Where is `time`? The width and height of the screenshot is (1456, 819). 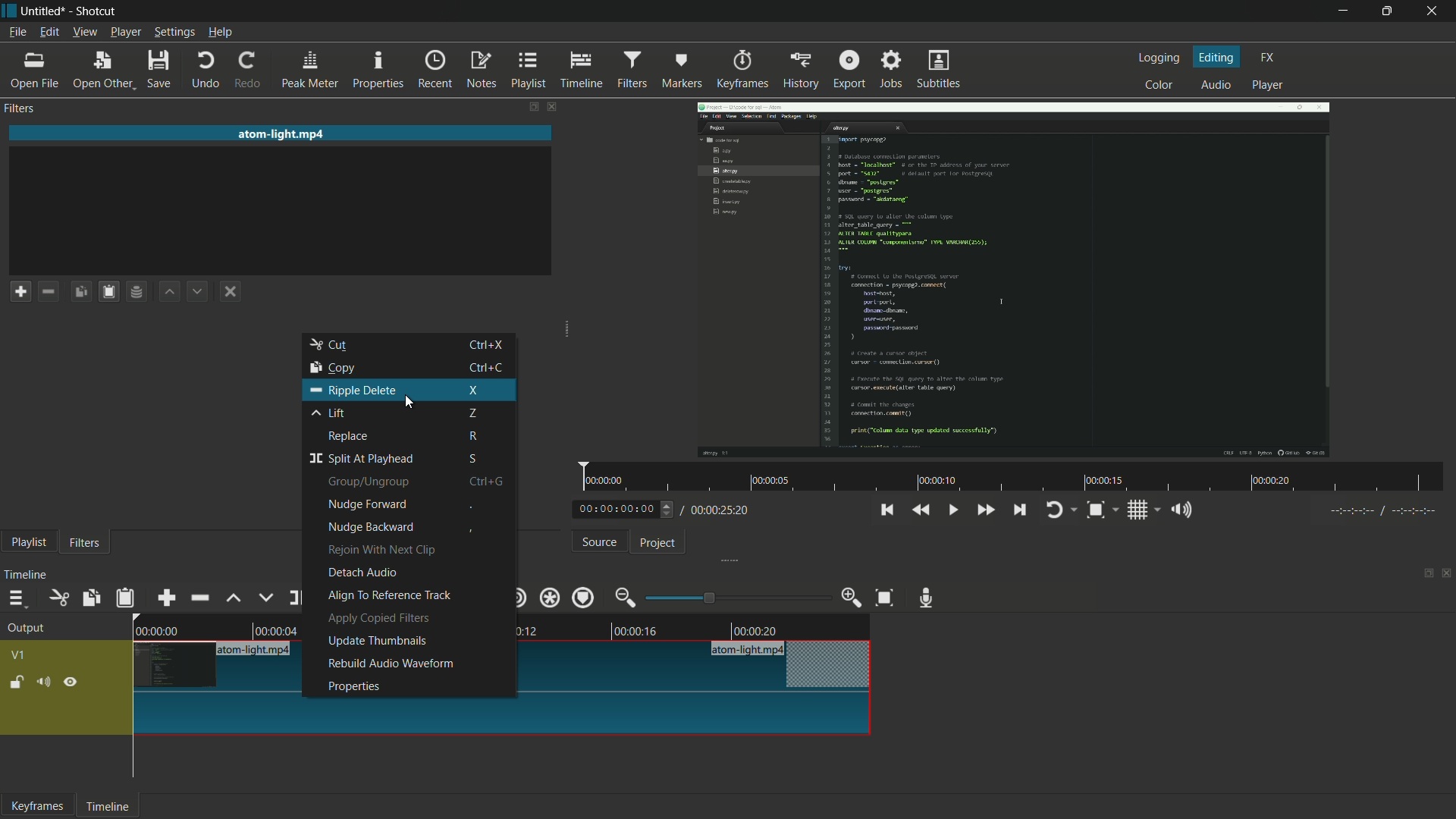
time is located at coordinates (1012, 475).